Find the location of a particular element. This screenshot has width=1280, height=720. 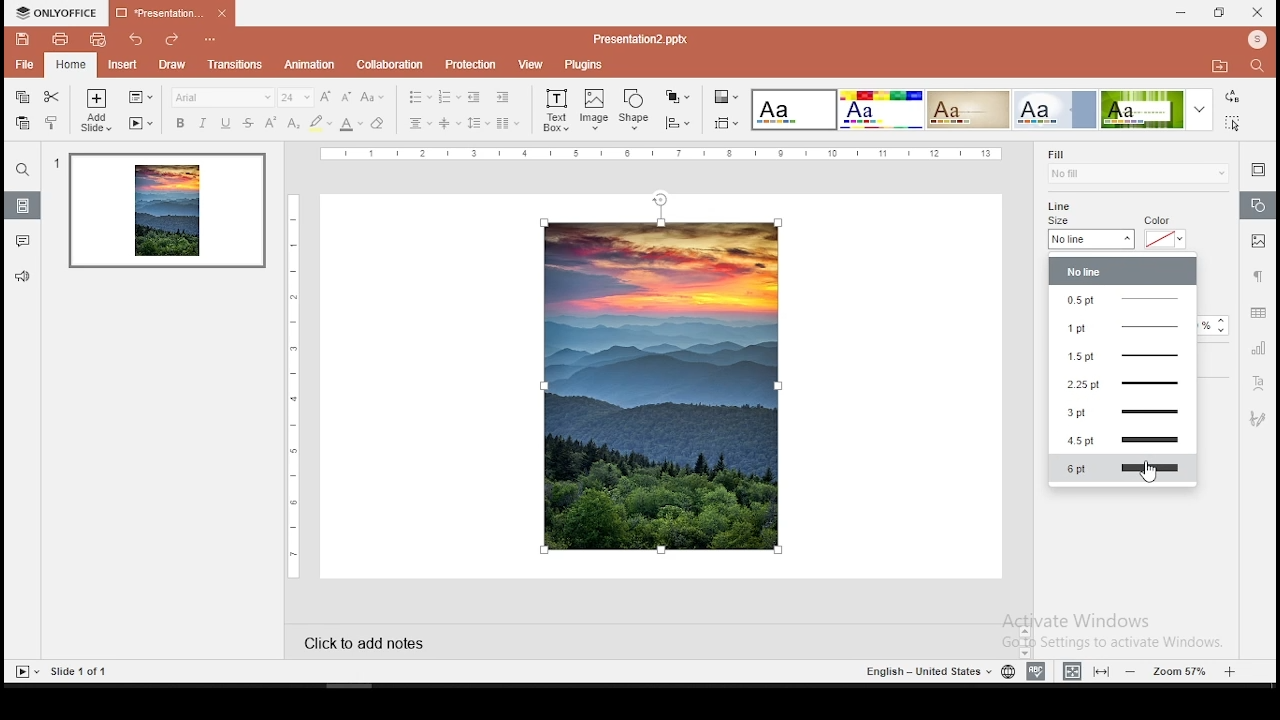

 is located at coordinates (1257, 417).